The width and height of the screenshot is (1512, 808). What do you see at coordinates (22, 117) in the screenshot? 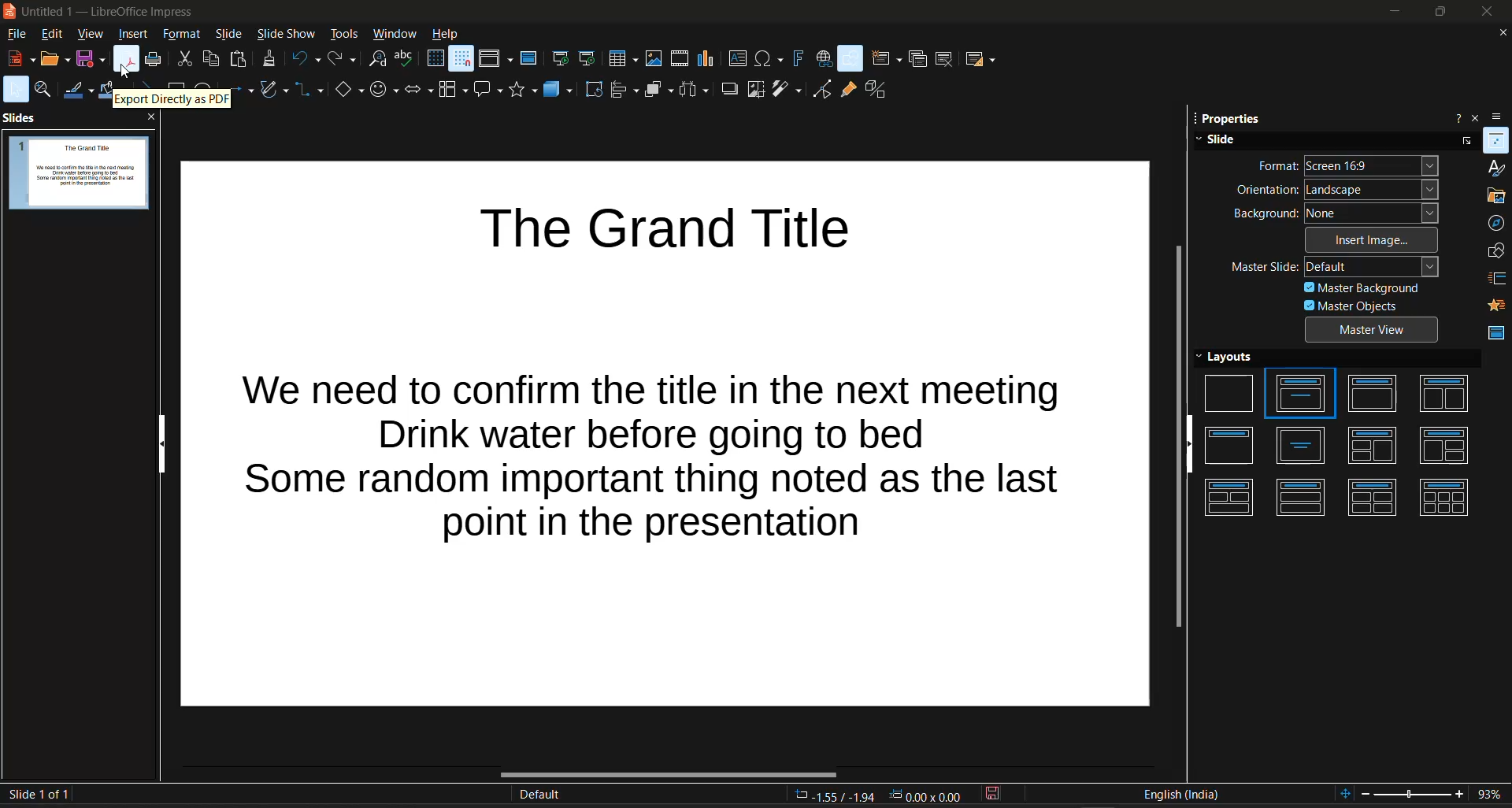
I see `slides` at bounding box center [22, 117].